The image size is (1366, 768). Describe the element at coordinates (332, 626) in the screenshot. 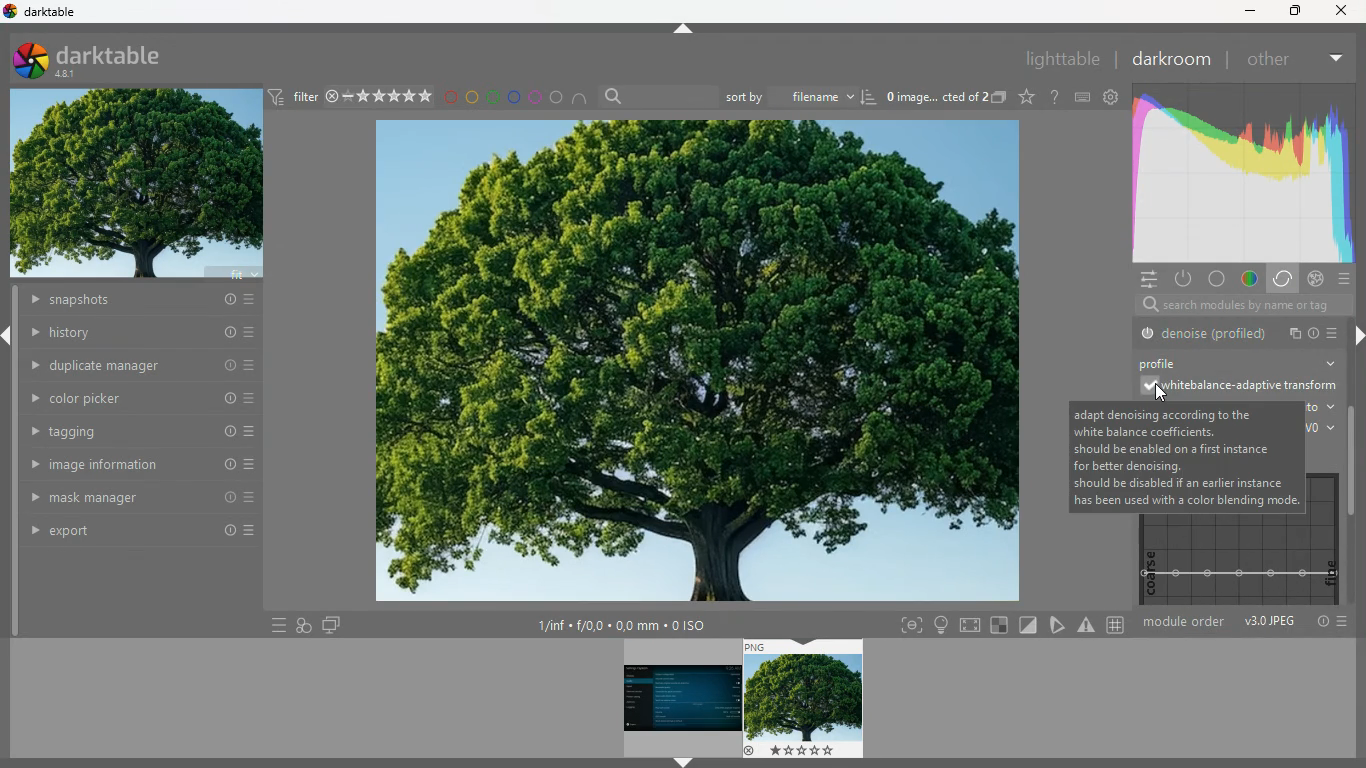

I see `screen` at that location.